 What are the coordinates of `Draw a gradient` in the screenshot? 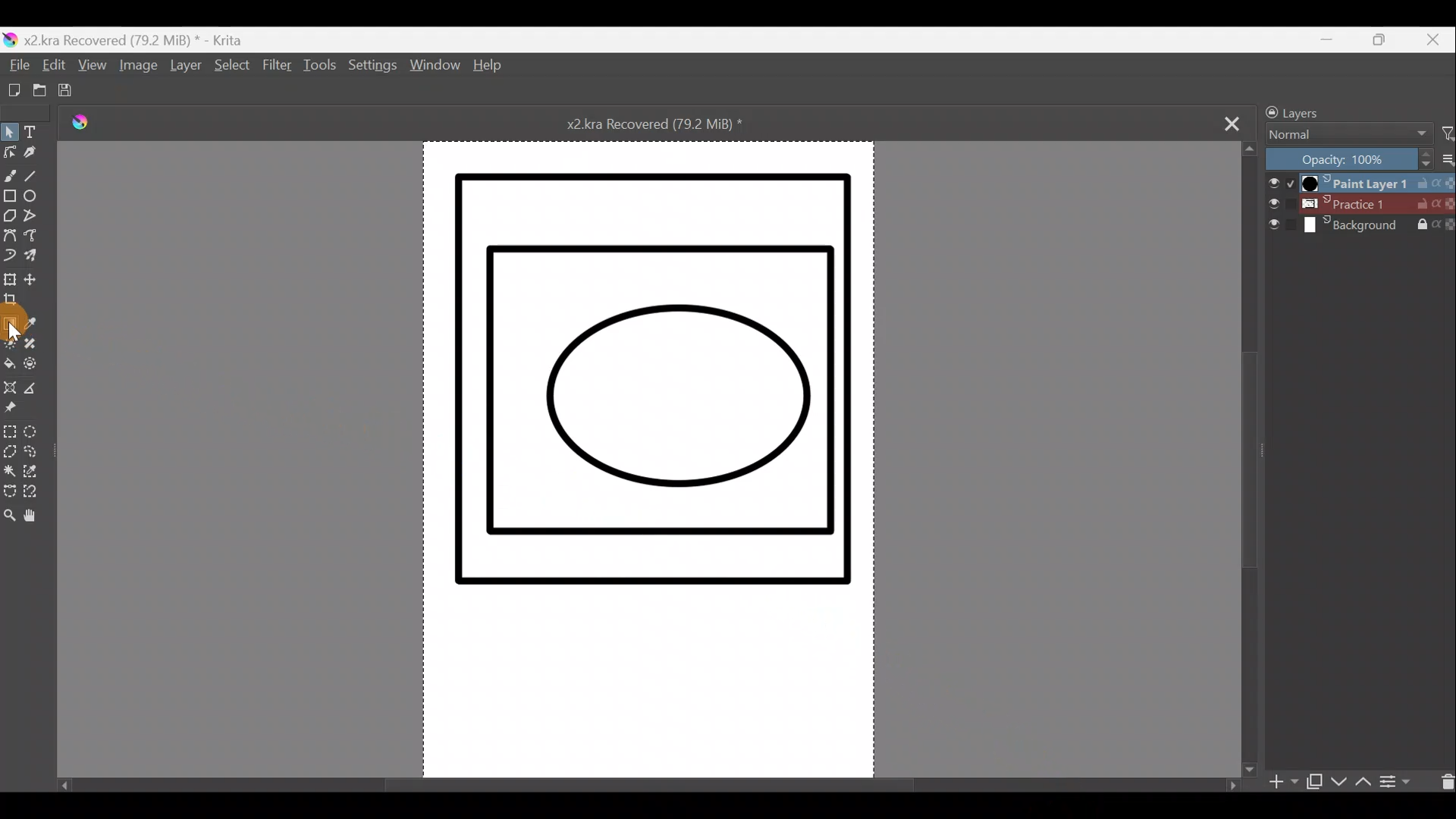 It's located at (11, 321).